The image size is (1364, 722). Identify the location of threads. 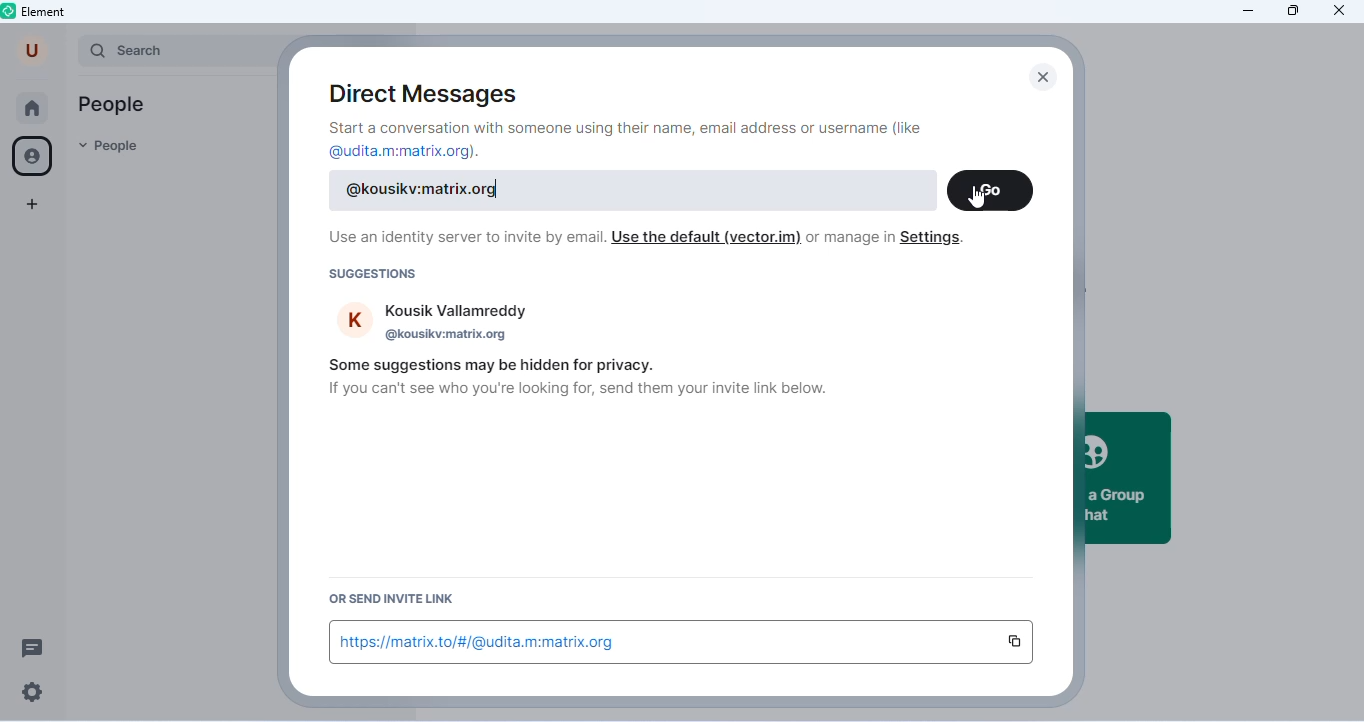
(34, 646).